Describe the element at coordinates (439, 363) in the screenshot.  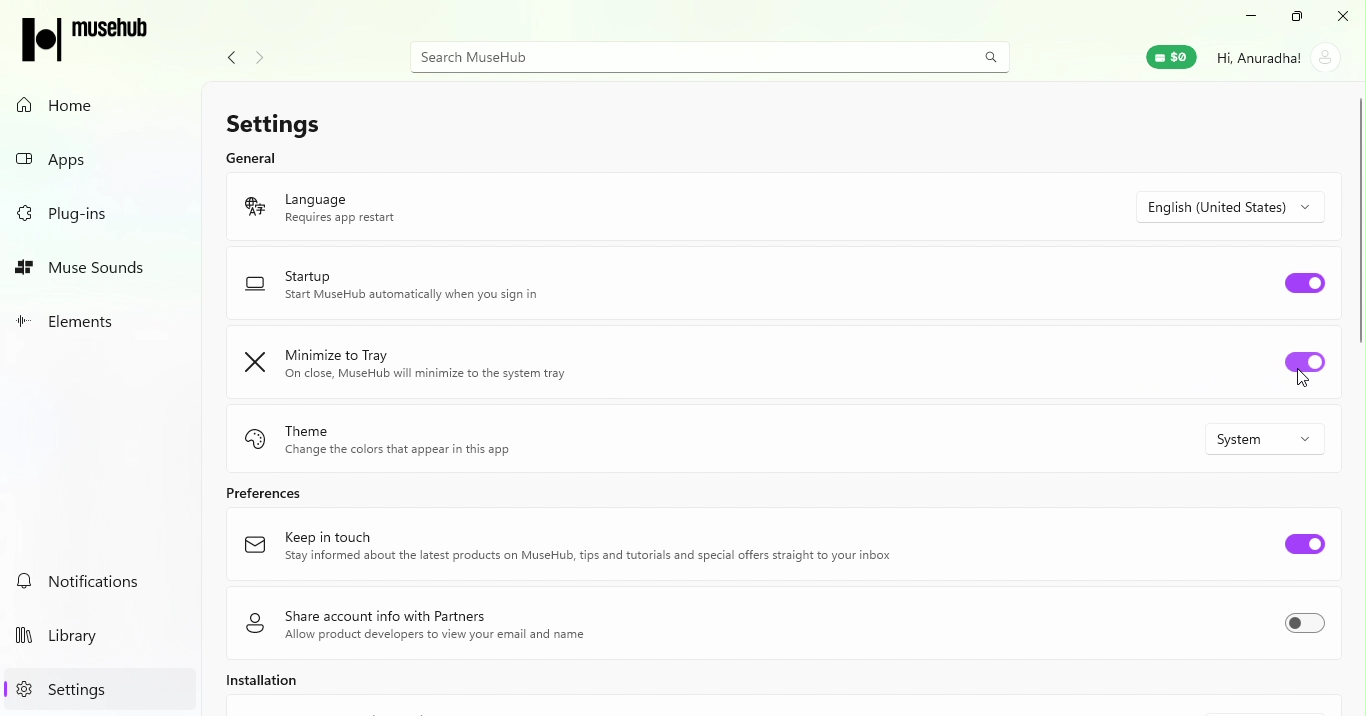
I see `Minimize to tray` at that location.